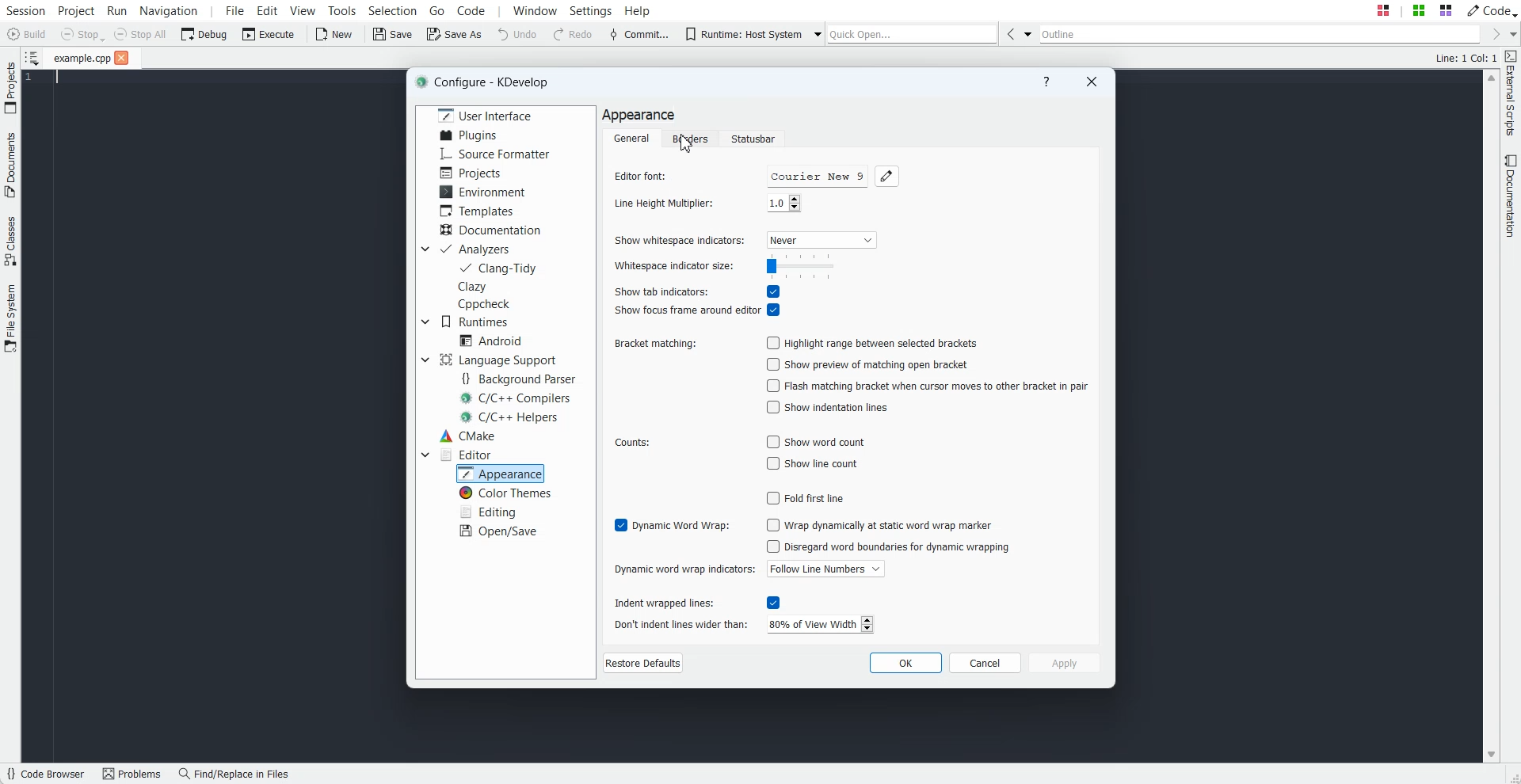 The height and width of the screenshot is (784, 1521). Describe the element at coordinates (81, 58) in the screenshot. I see `File` at that location.